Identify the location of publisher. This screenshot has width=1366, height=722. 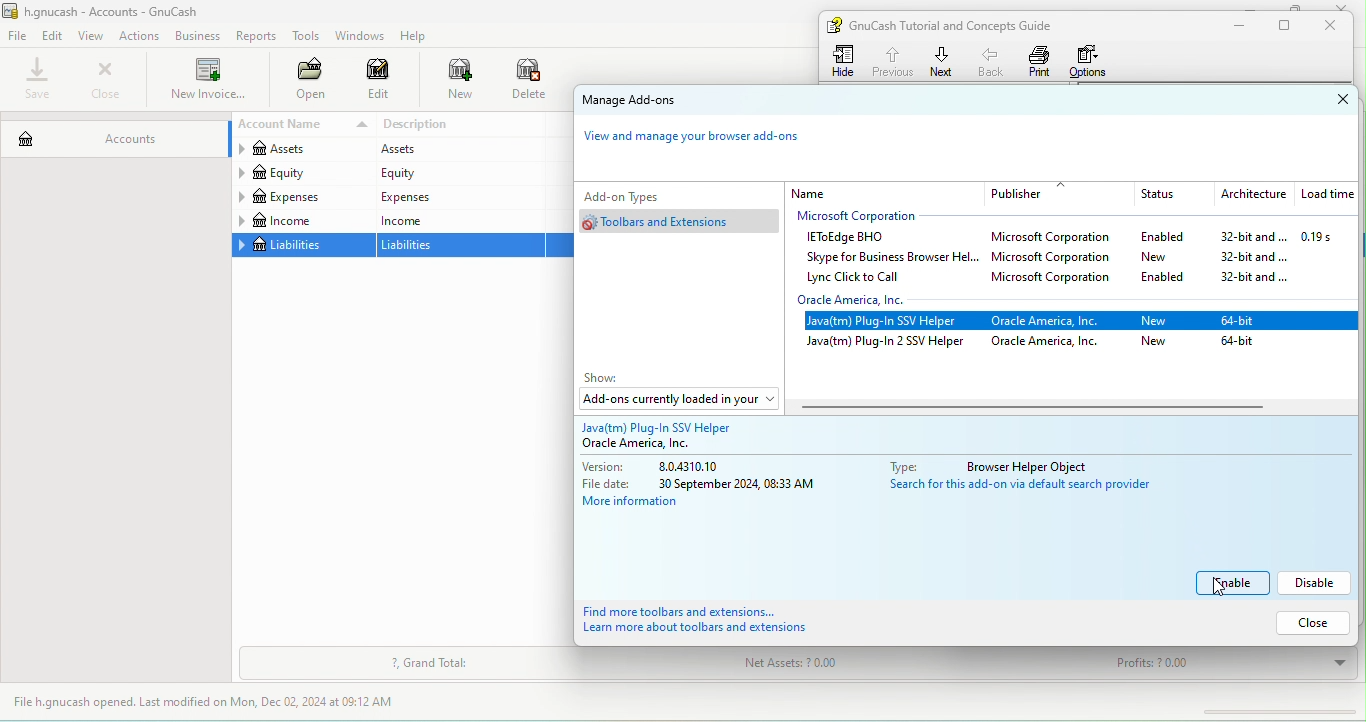
(1059, 194).